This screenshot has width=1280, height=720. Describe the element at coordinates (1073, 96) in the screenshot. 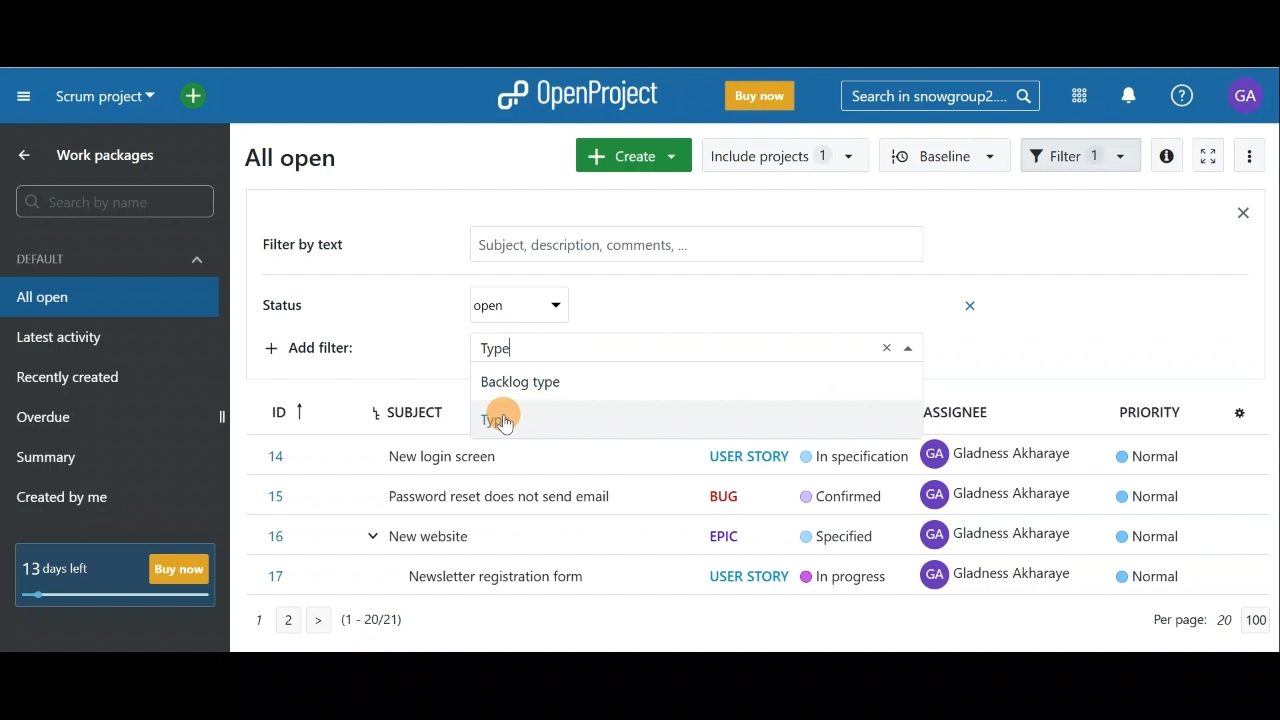

I see `Modules` at that location.